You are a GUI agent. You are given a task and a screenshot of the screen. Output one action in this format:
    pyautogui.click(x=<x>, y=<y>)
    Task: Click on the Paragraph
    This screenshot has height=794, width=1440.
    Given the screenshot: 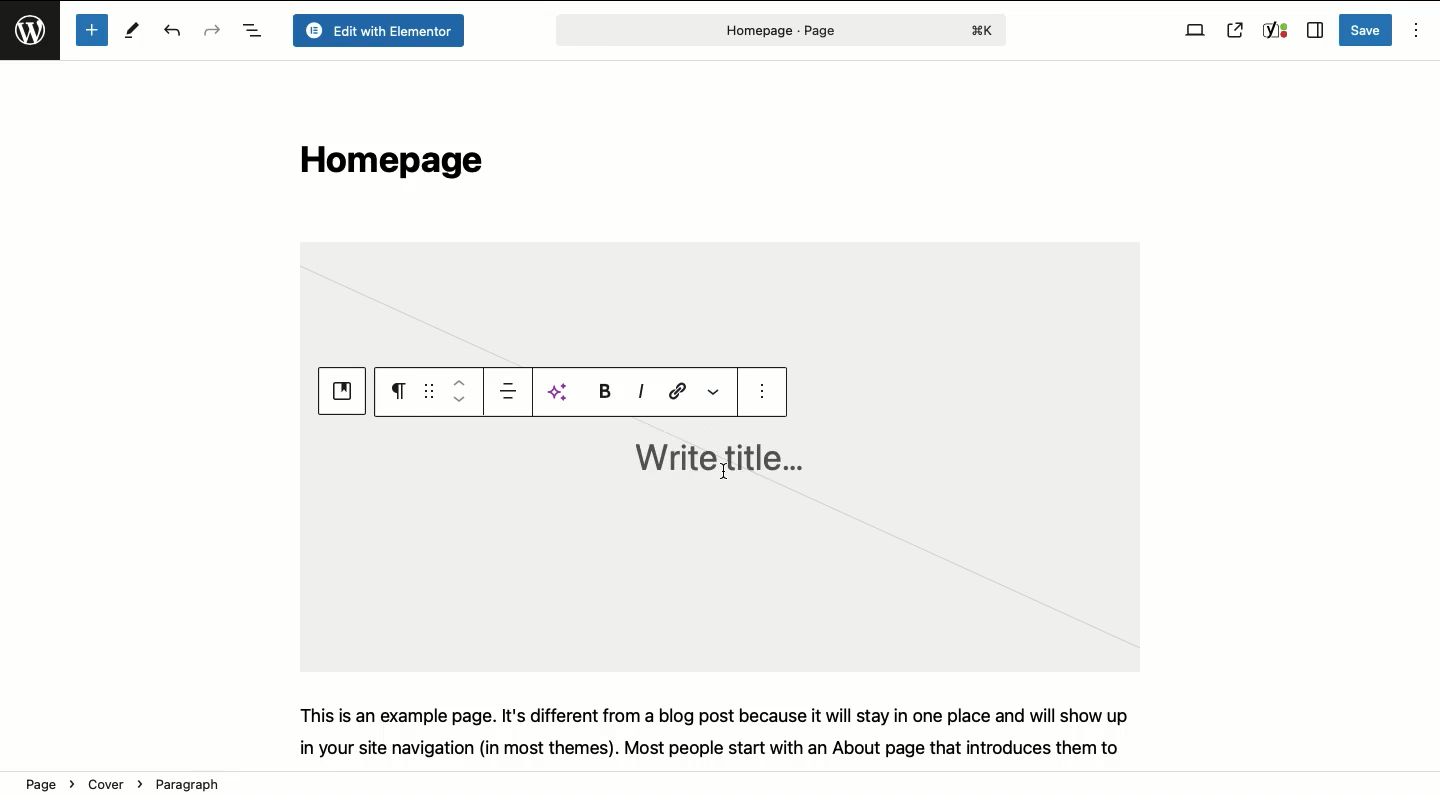 What is the action you would take?
    pyautogui.click(x=398, y=392)
    